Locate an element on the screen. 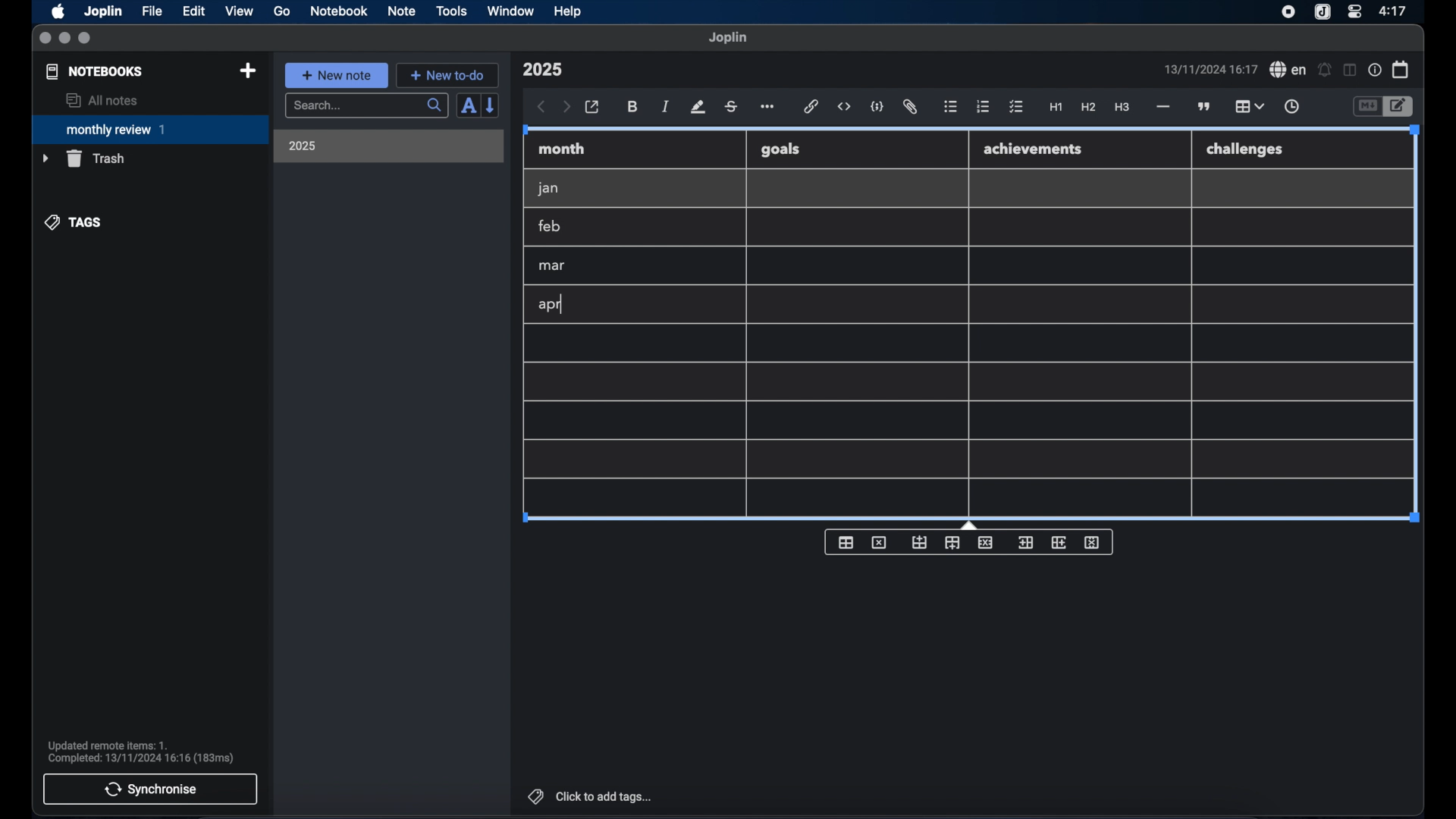 Image resolution: width=1456 pixels, height=819 pixels. minimize is located at coordinates (64, 39).